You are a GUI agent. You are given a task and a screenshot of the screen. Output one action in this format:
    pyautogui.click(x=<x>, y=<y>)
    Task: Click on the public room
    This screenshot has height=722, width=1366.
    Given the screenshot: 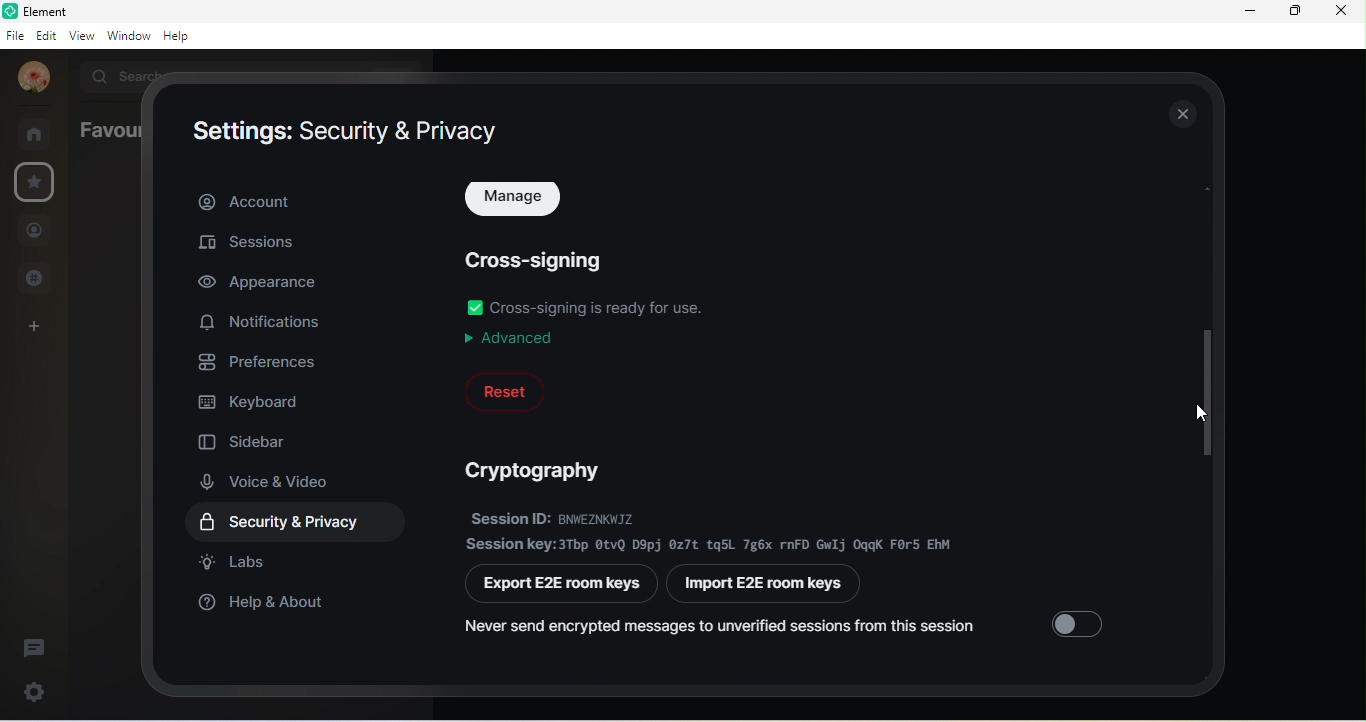 What is the action you would take?
    pyautogui.click(x=41, y=277)
    